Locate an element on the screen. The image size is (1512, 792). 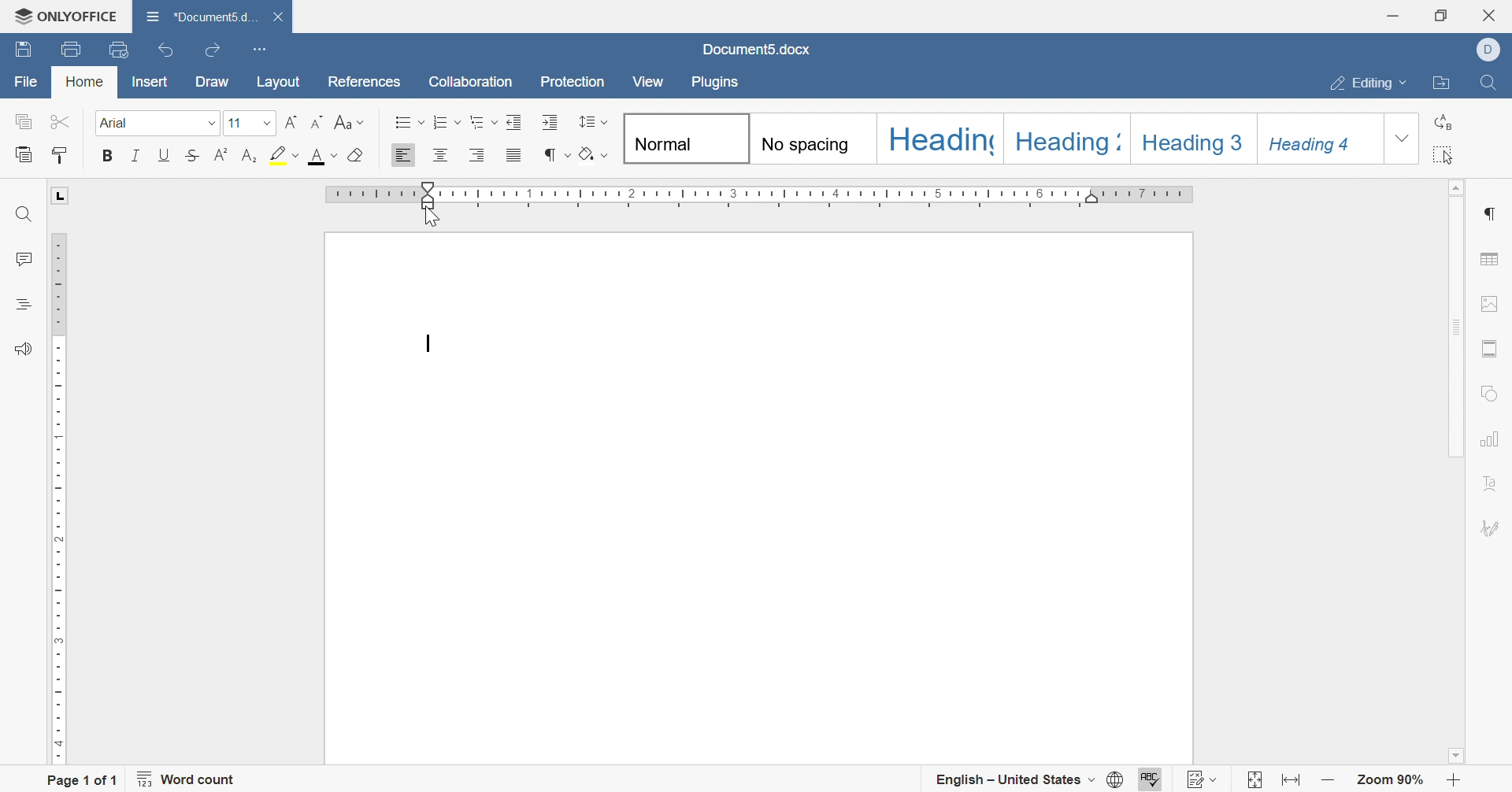
font is located at coordinates (118, 122).